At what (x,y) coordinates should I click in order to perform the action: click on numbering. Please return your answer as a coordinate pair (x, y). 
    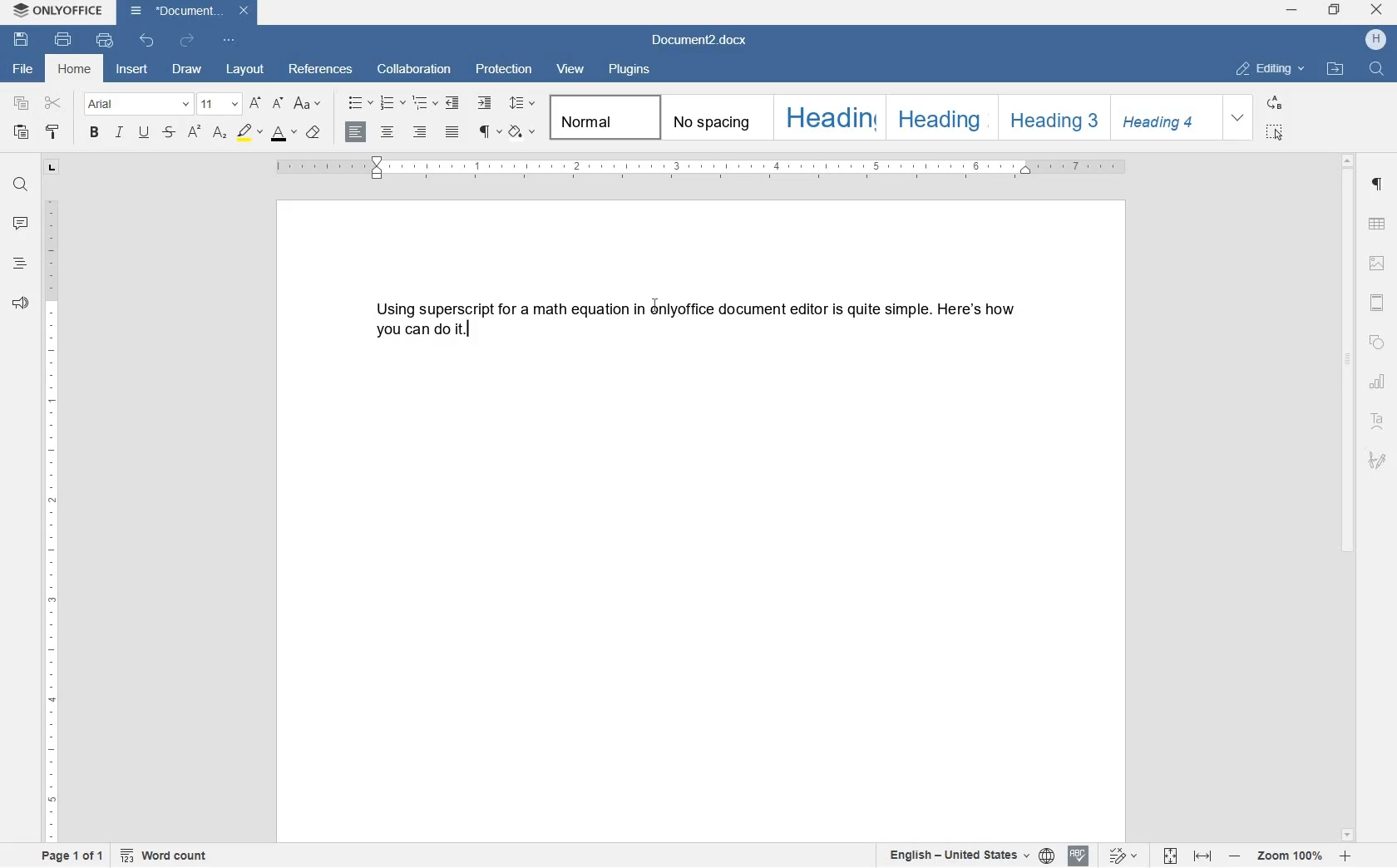
    Looking at the image, I should click on (392, 102).